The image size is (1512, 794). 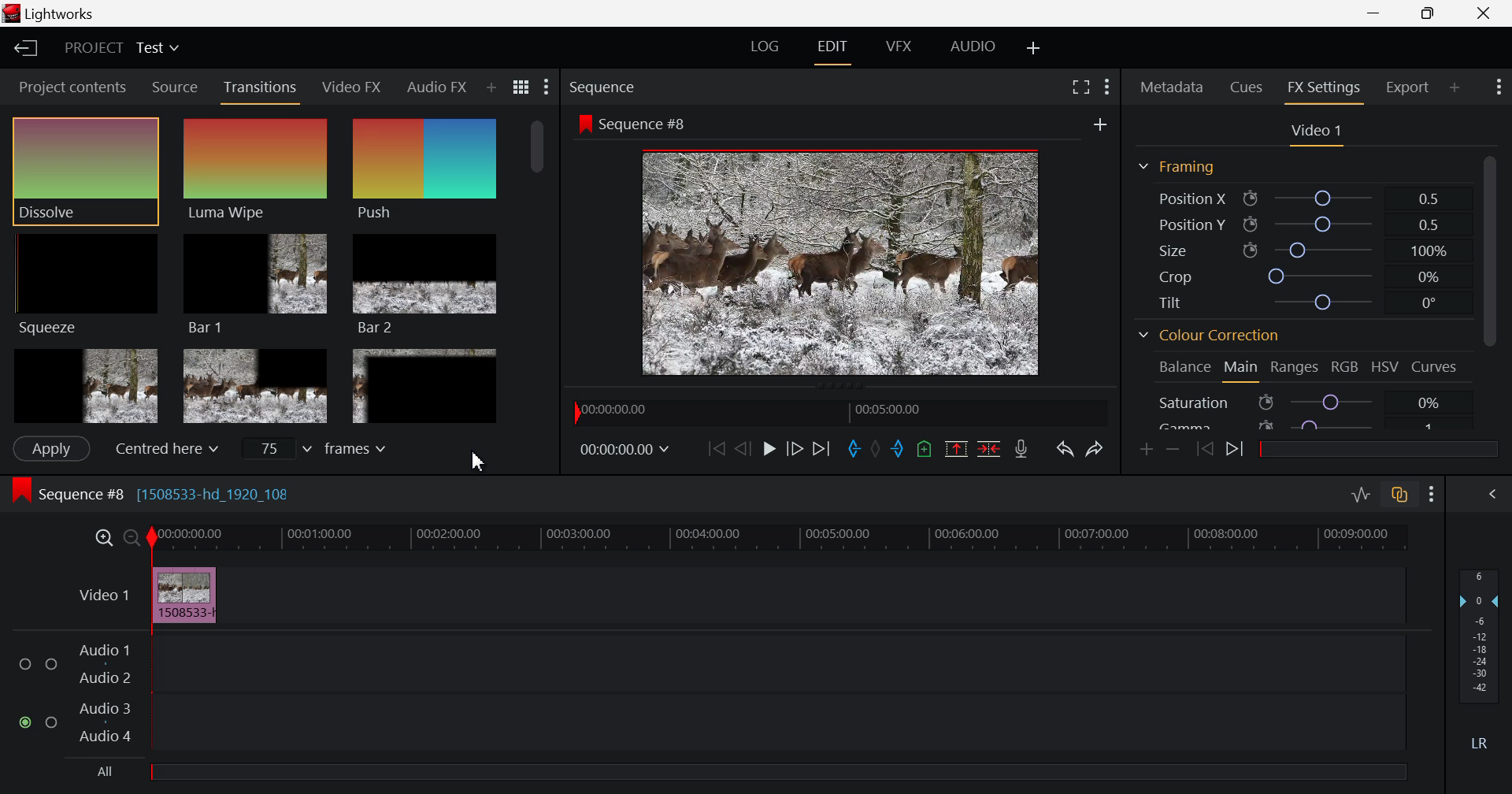 What do you see at coordinates (1296, 302) in the screenshot?
I see `Tilt` at bounding box center [1296, 302].